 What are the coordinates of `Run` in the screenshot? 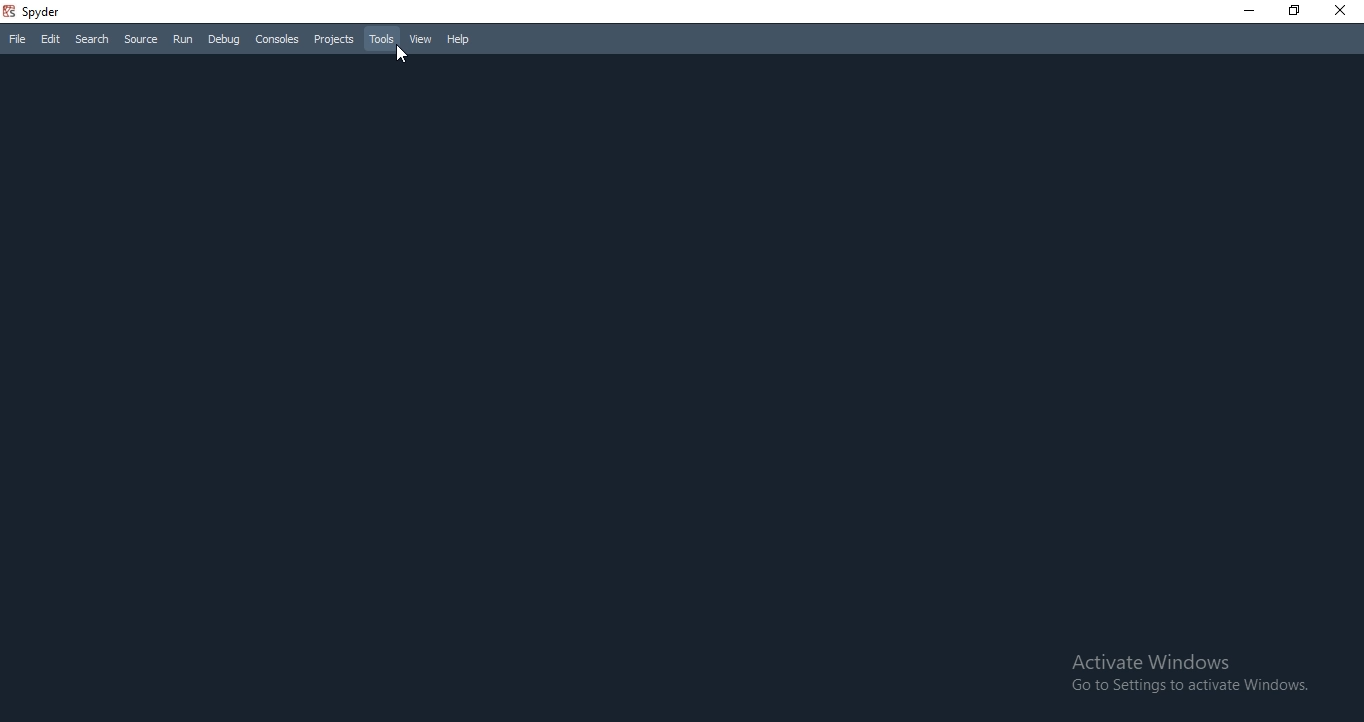 It's located at (183, 41).